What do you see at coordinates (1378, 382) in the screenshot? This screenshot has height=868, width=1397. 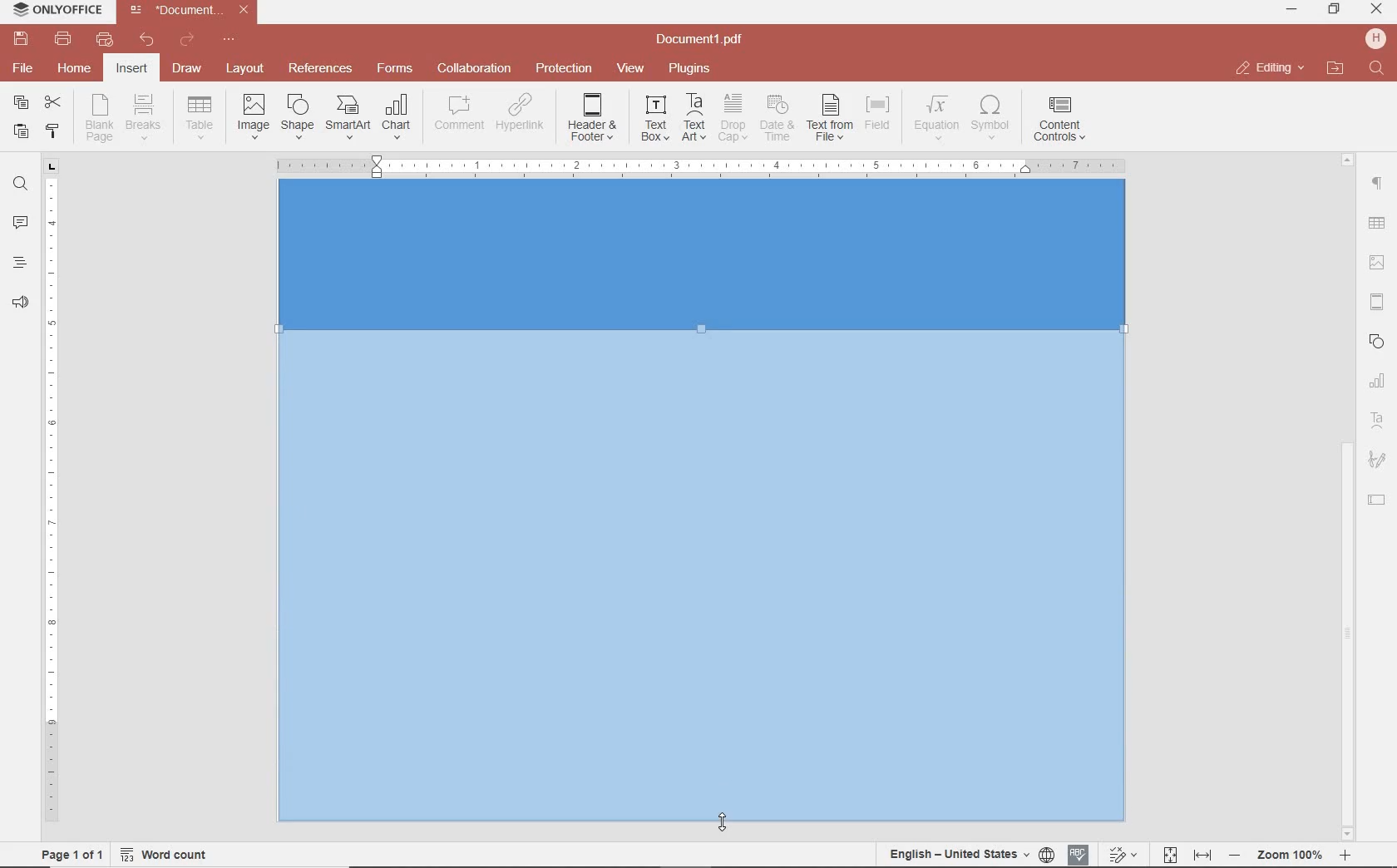 I see `CHART` at bounding box center [1378, 382].